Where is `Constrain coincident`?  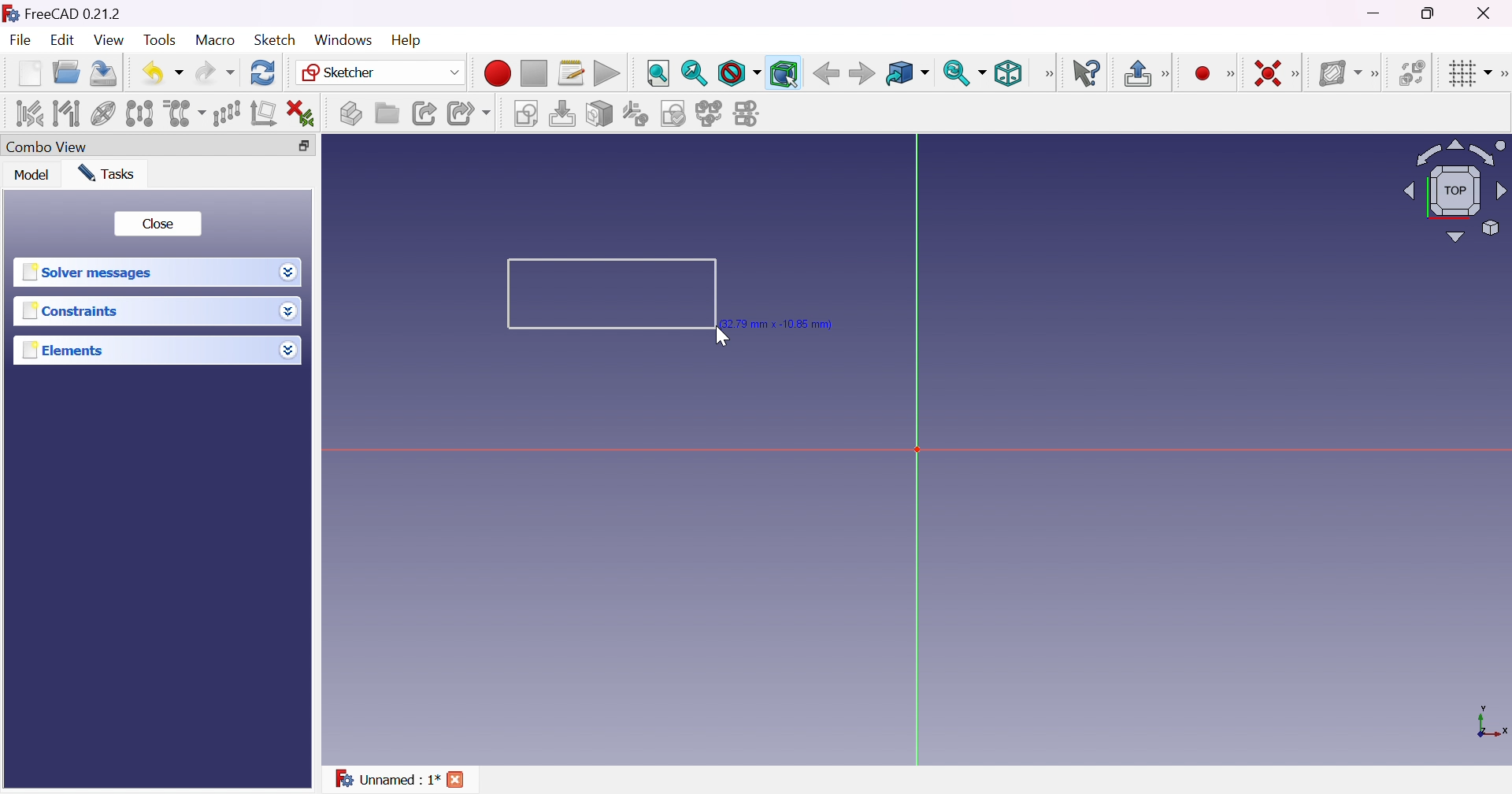 Constrain coincident is located at coordinates (1270, 73).